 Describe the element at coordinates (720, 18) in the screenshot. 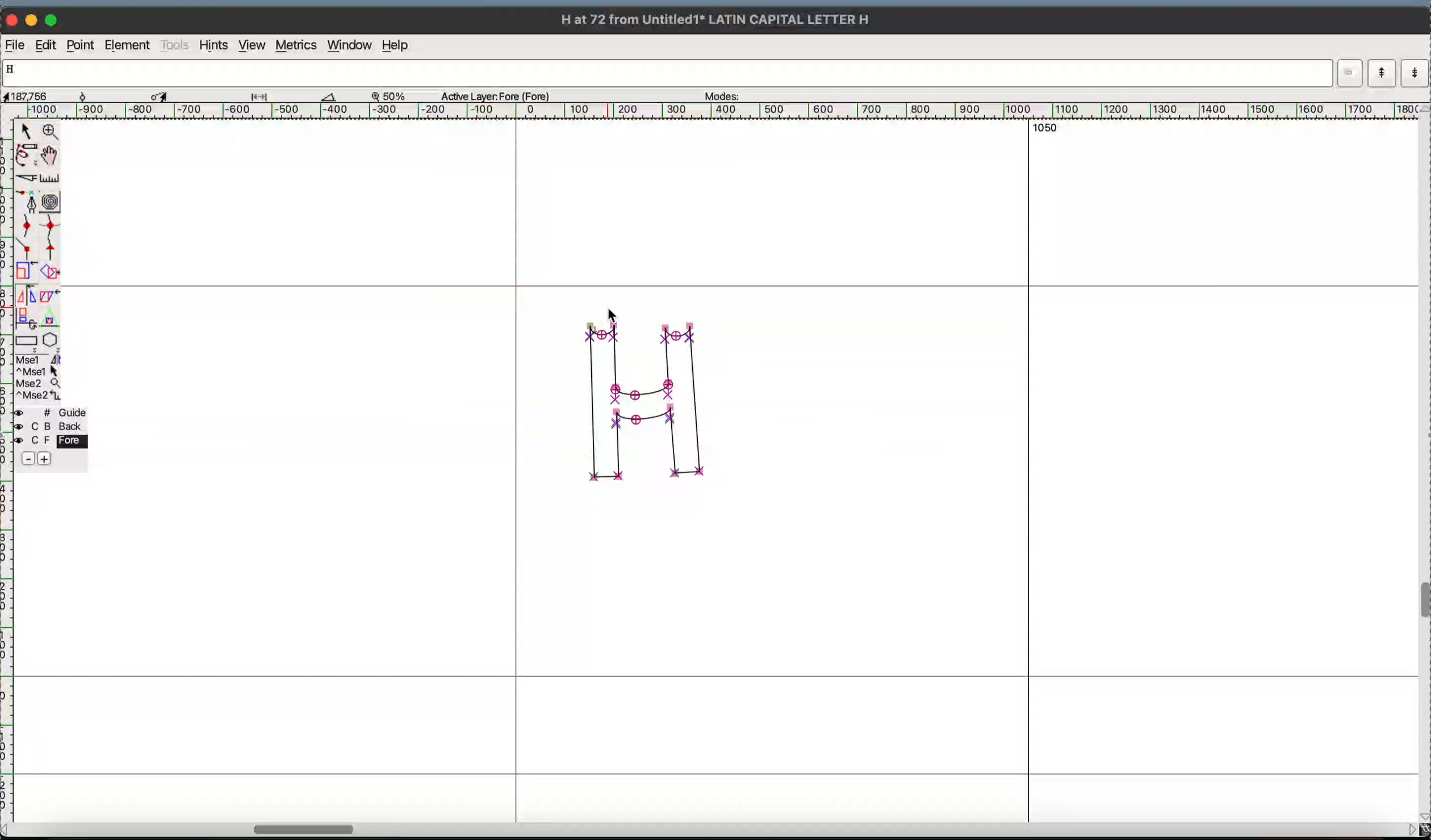

I see `H at 72 from Untitled1 LATIN CAPITAL LETTER H` at that location.